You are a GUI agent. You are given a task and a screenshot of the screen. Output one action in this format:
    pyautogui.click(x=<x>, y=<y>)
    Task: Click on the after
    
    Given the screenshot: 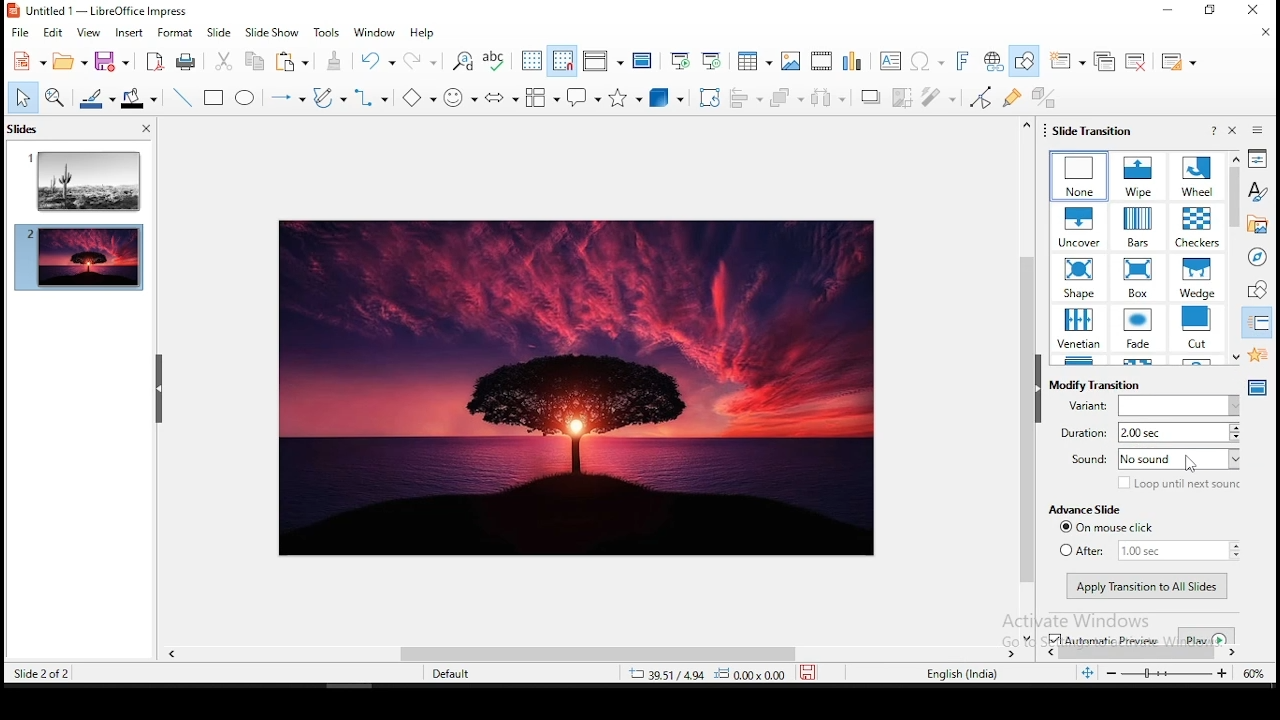 What is the action you would take?
    pyautogui.click(x=1148, y=550)
    